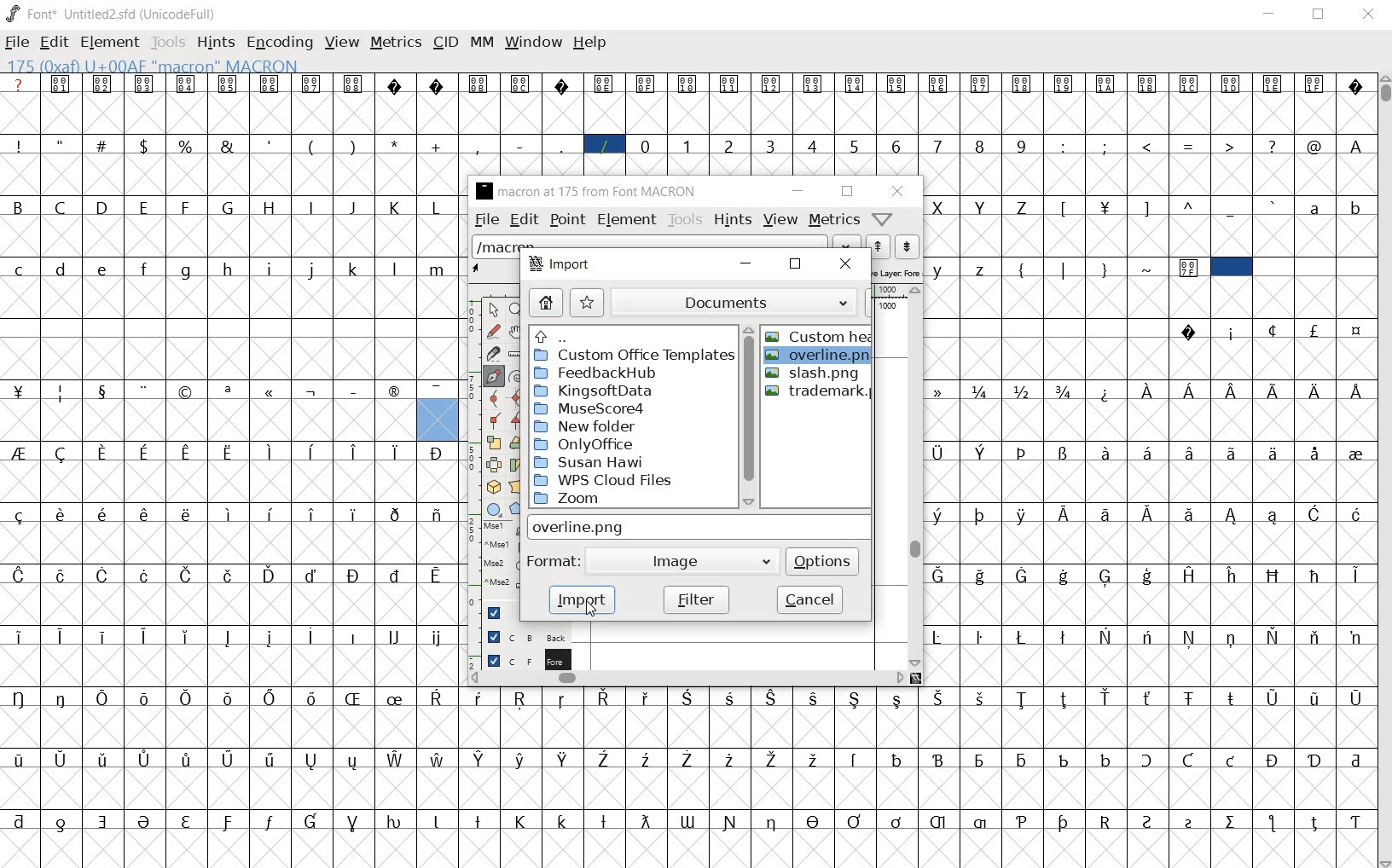 This screenshot has width=1392, height=868. I want to click on Symbol, so click(1065, 635).